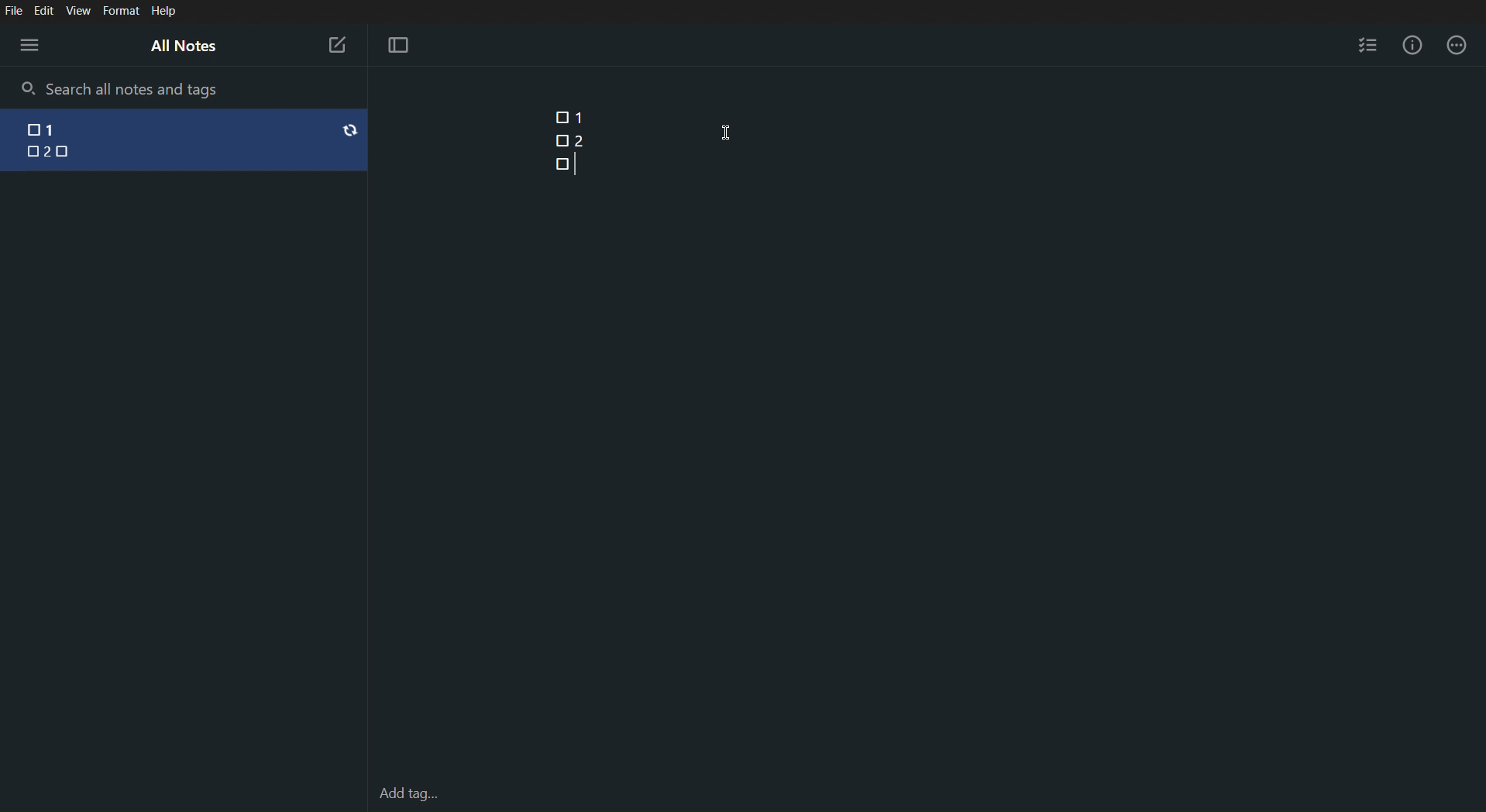 The width and height of the screenshot is (1486, 812). What do you see at coordinates (1416, 45) in the screenshot?
I see `Info` at bounding box center [1416, 45].